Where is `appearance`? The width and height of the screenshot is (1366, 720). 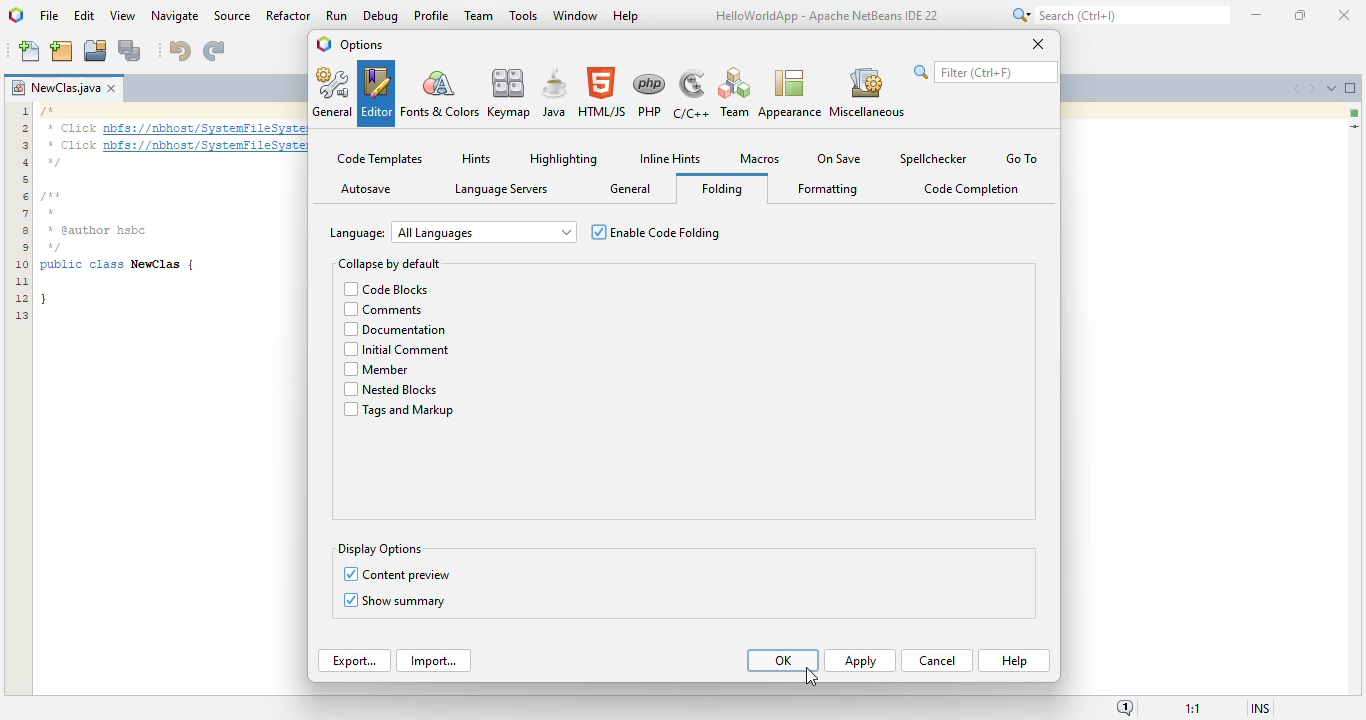 appearance is located at coordinates (790, 95).